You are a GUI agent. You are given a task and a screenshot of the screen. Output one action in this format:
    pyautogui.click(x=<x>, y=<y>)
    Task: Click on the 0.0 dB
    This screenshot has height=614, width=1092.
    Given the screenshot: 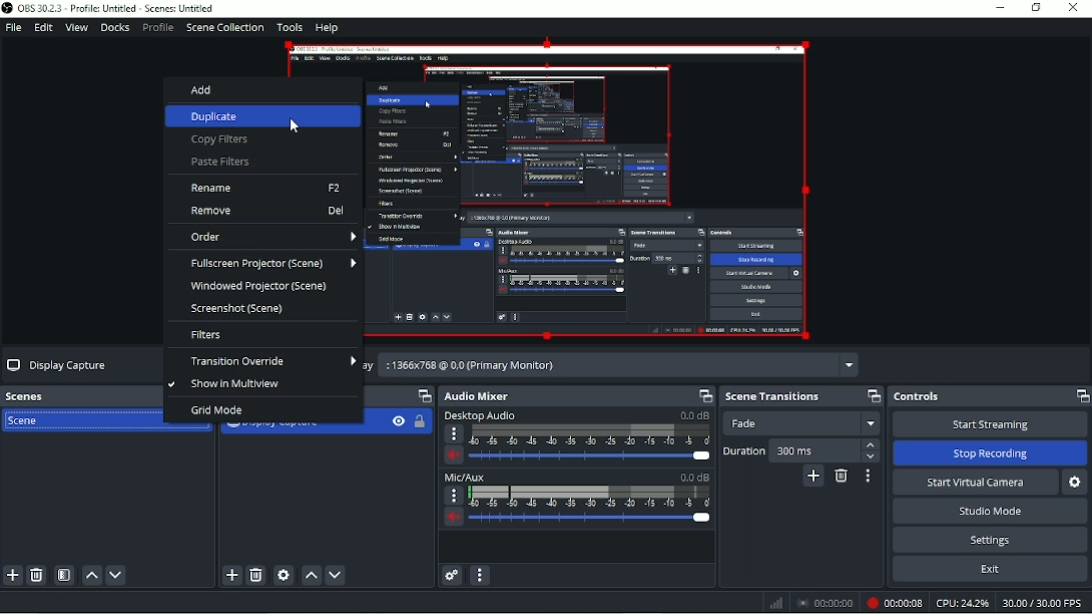 What is the action you would take?
    pyautogui.click(x=694, y=415)
    